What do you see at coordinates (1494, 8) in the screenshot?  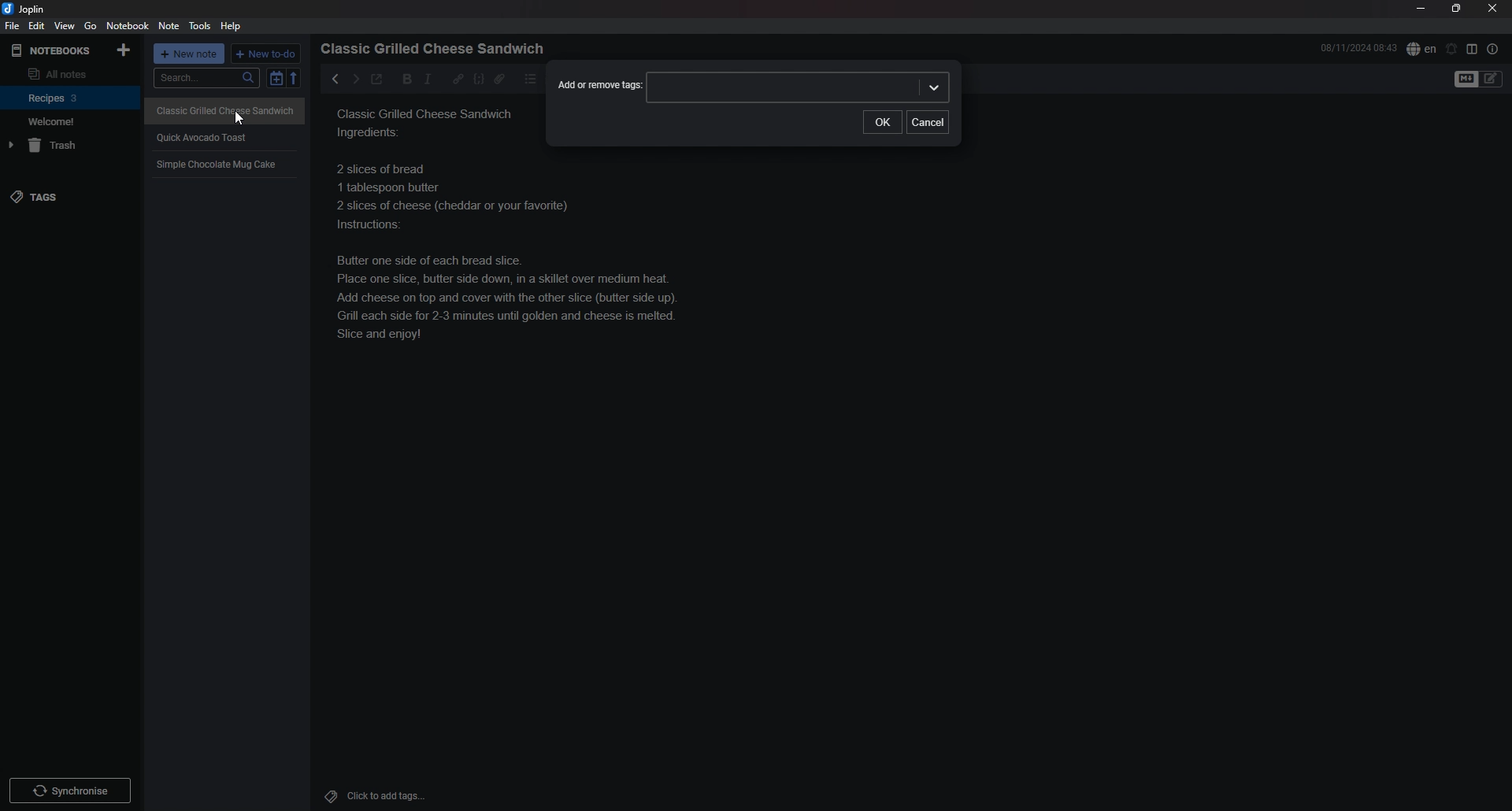 I see `close` at bounding box center [1494, 8].